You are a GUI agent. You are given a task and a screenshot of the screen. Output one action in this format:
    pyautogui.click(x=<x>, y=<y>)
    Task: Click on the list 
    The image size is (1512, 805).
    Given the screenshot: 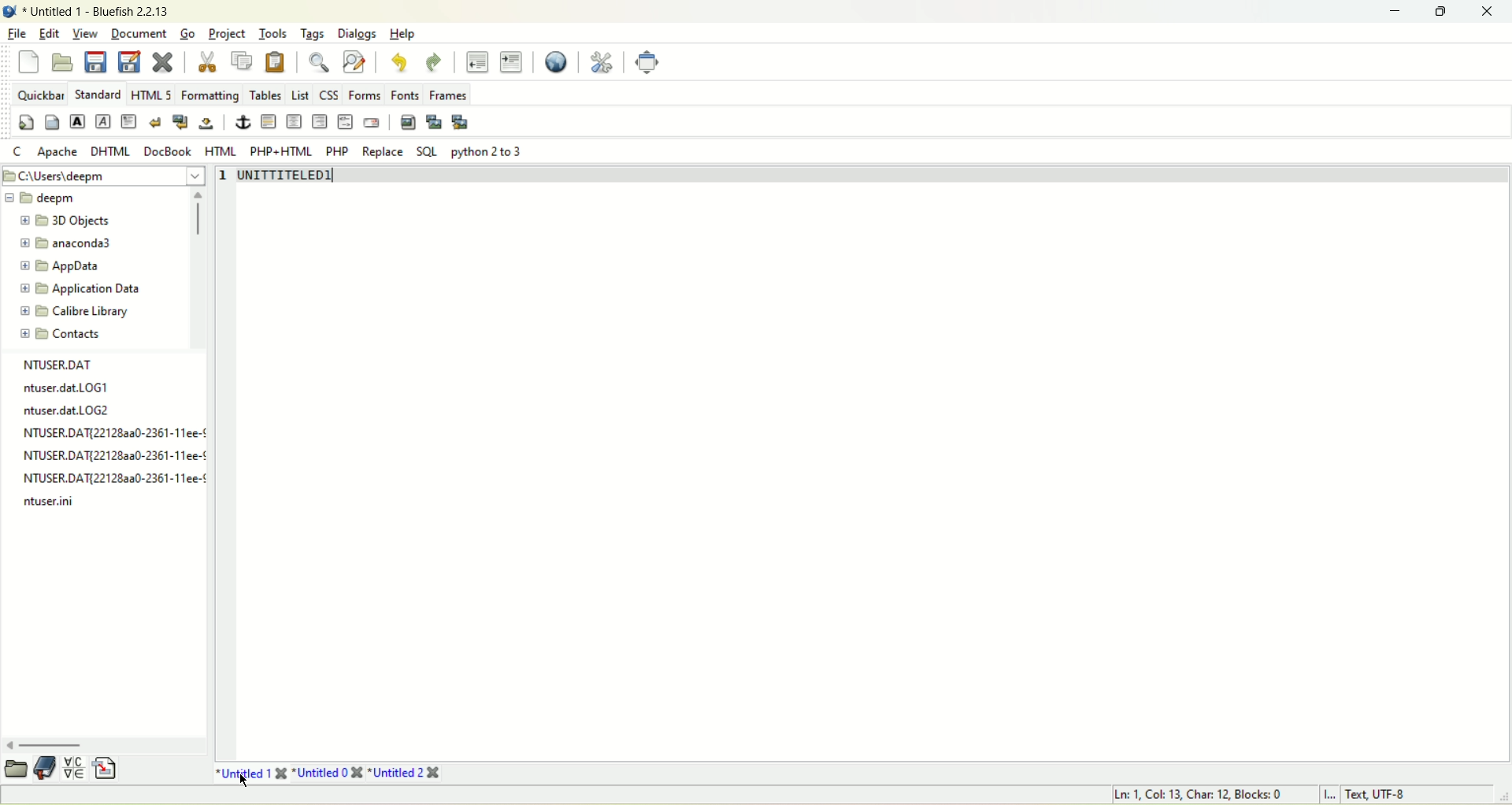 What is the action you would take?
    pyautogui.click(x=299, y=95)
    